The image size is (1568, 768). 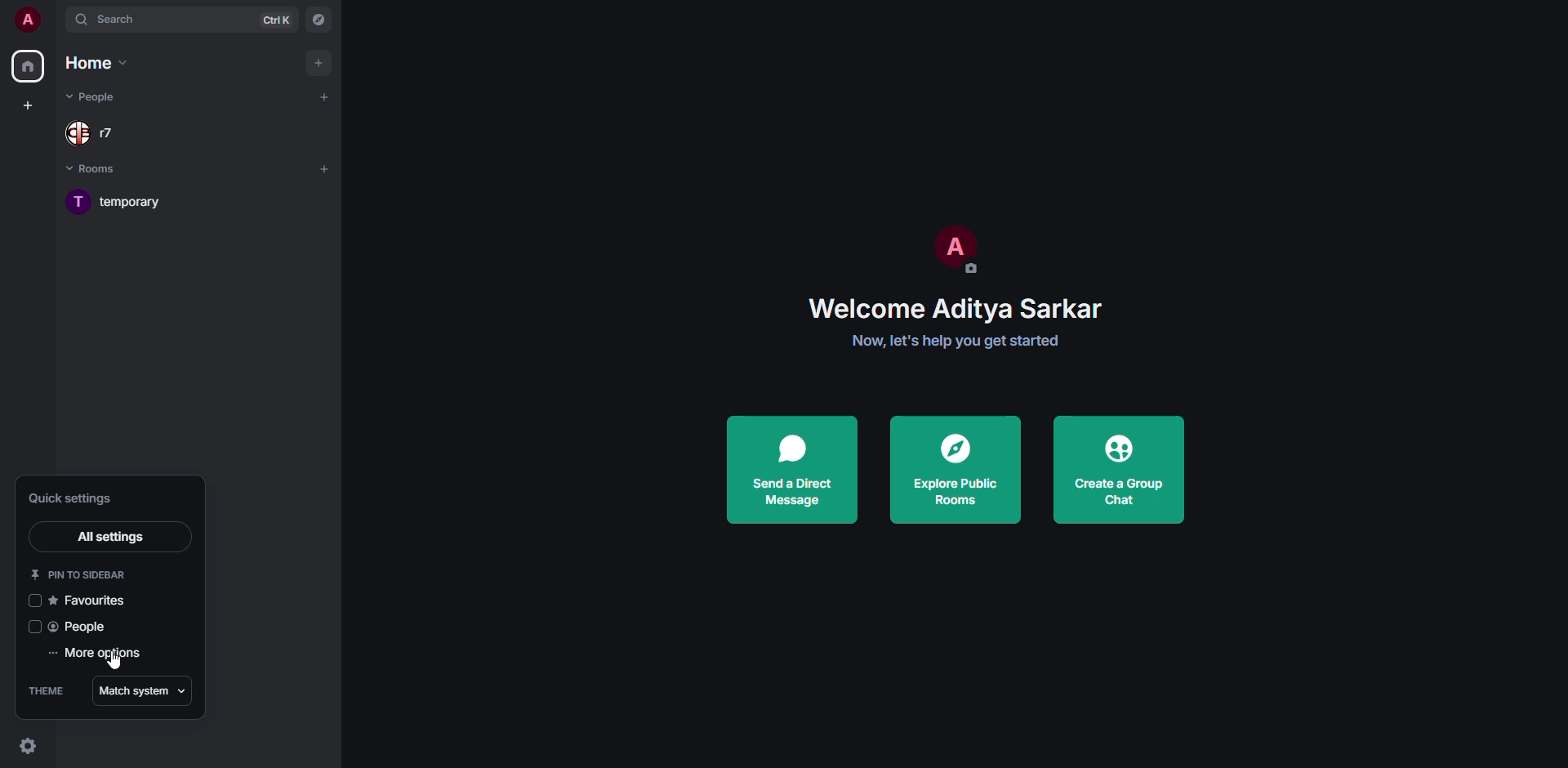 I want to click on add, so click(x=325, y=96).